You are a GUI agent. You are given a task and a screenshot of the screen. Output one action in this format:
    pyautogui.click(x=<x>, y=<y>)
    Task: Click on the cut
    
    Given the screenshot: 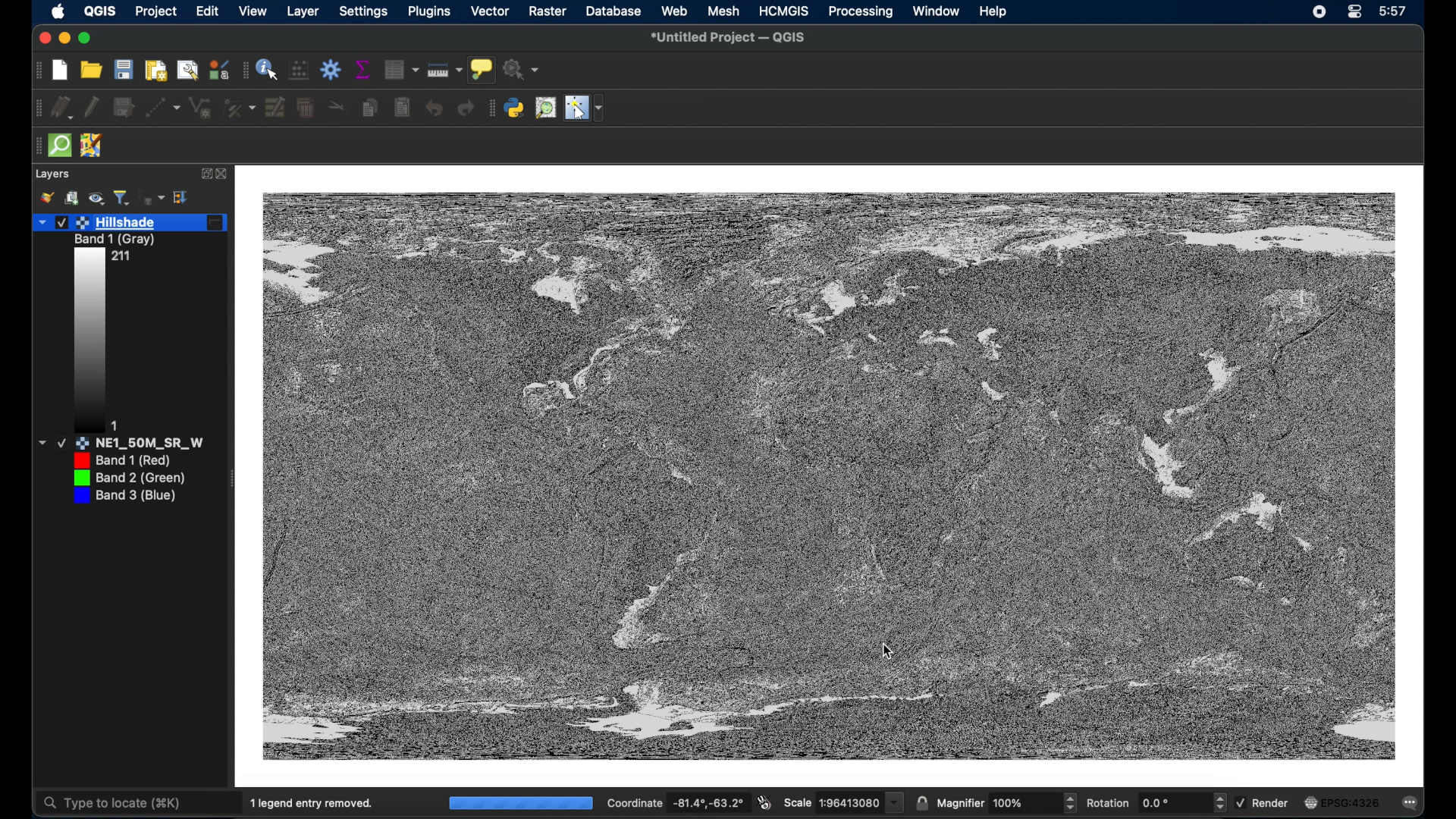 What is the action you would take?
    pyautogui.click(x=337, y=106)
    